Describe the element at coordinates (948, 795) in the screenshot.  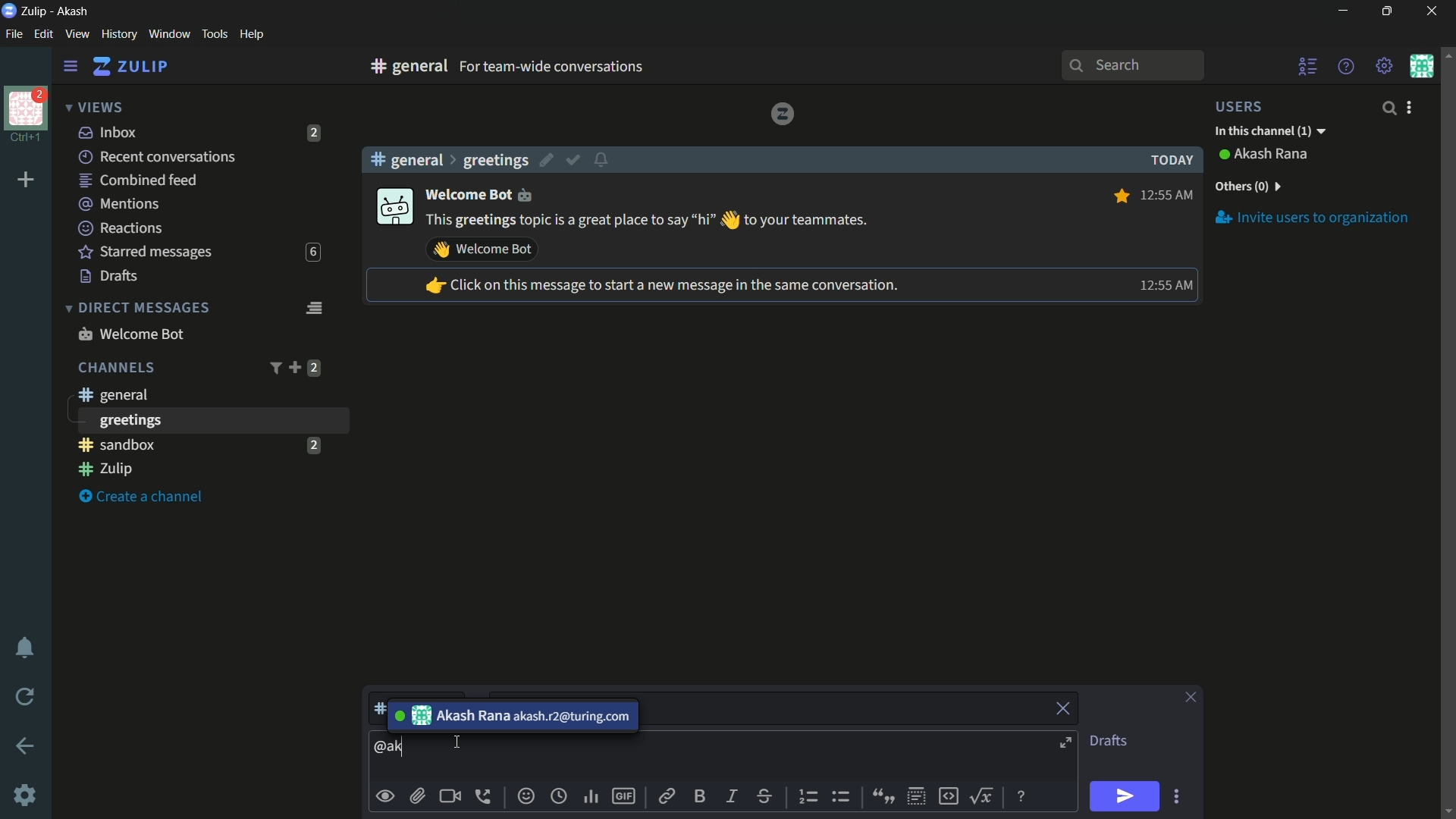
I see `code` at that location.